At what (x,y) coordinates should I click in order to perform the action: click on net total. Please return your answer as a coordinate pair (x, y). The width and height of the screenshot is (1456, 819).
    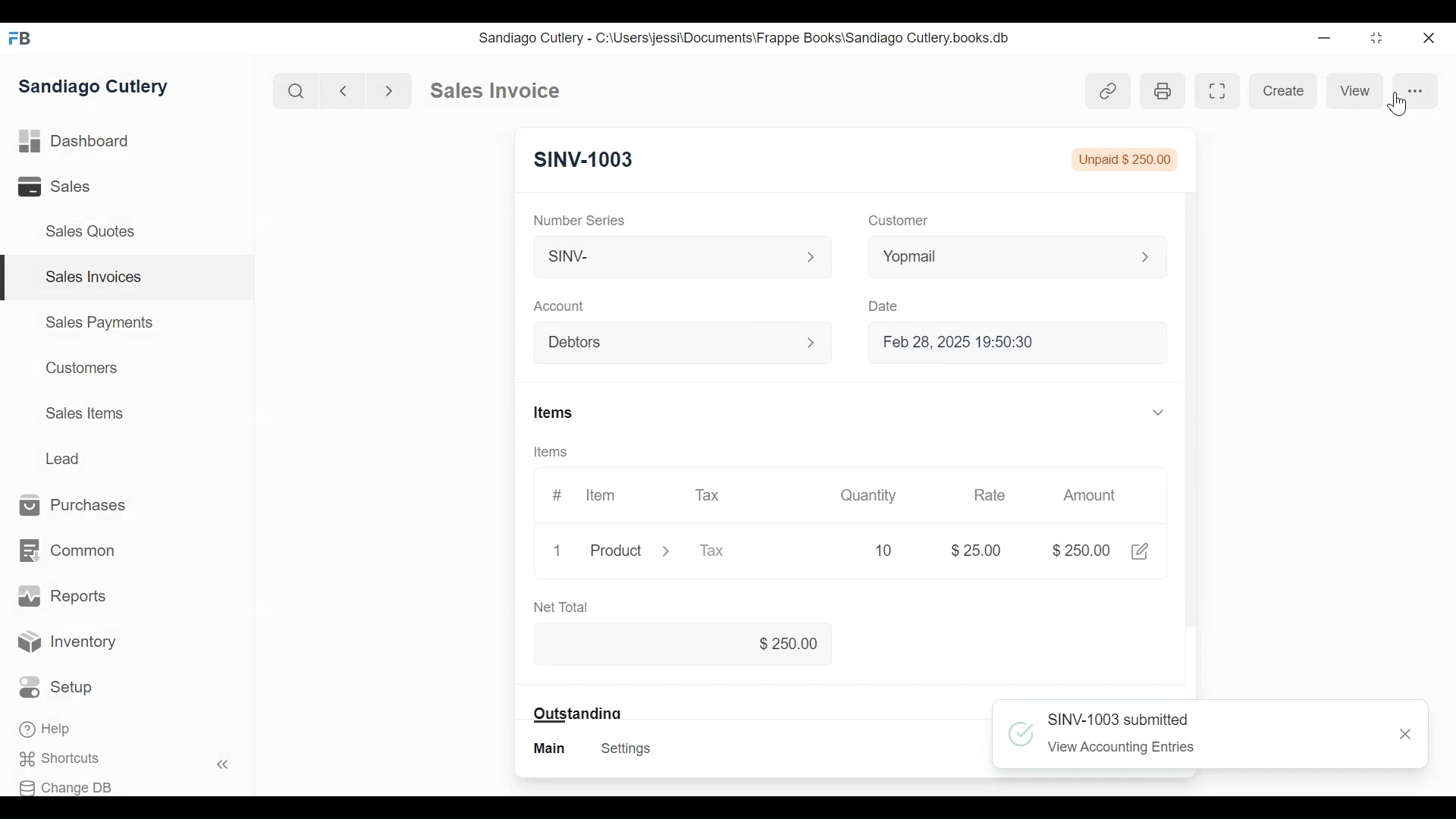
    Looking at the image, I should click on (579, 605).